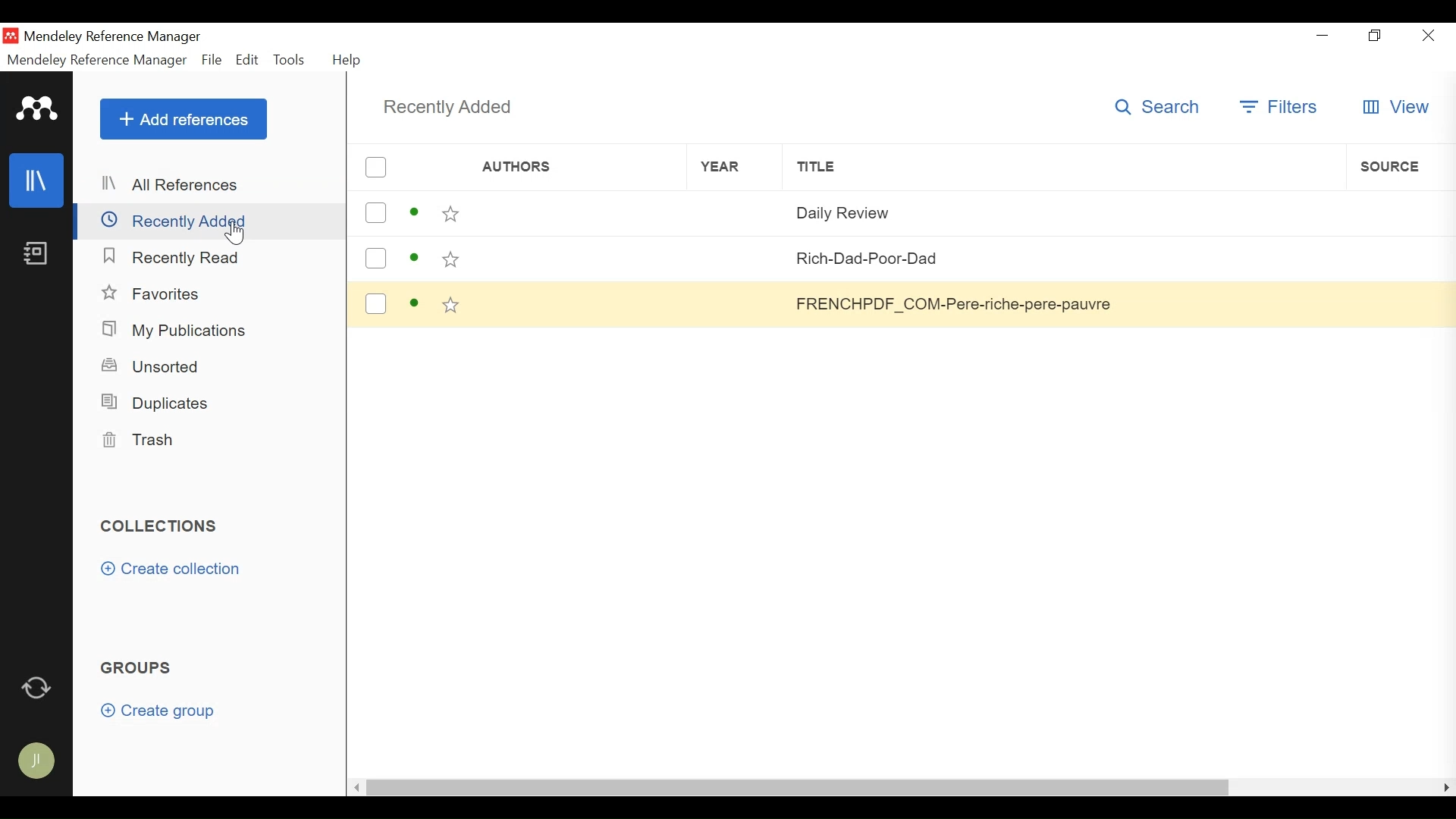  I want to click on Mendeley, so click(37, 108).